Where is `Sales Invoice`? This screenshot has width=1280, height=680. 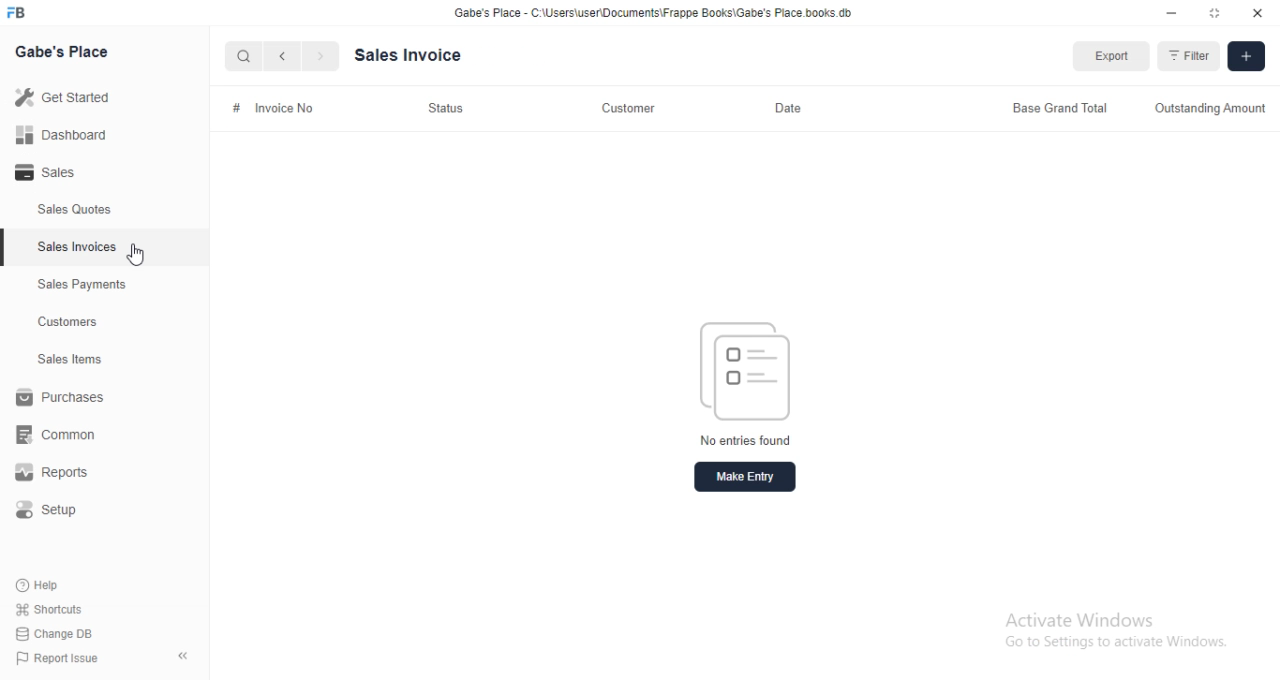
Sales Invoice is located at coordinates (451, 56).